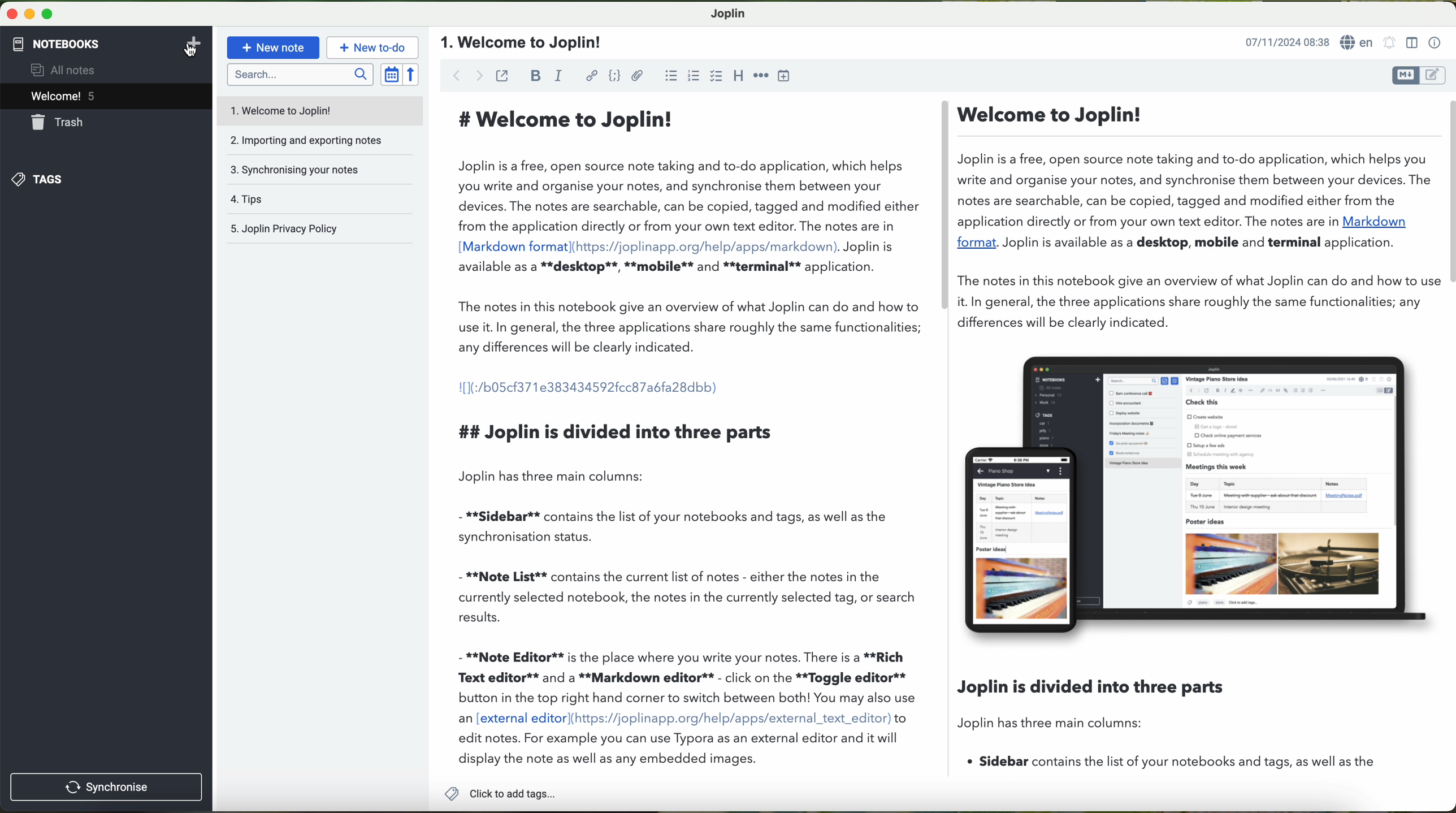 This screenshot has width=1456, height=813. What do you see at coordinates (297, 75) in the screenshot?
I see `search bar` at bounding box center [297, 75].